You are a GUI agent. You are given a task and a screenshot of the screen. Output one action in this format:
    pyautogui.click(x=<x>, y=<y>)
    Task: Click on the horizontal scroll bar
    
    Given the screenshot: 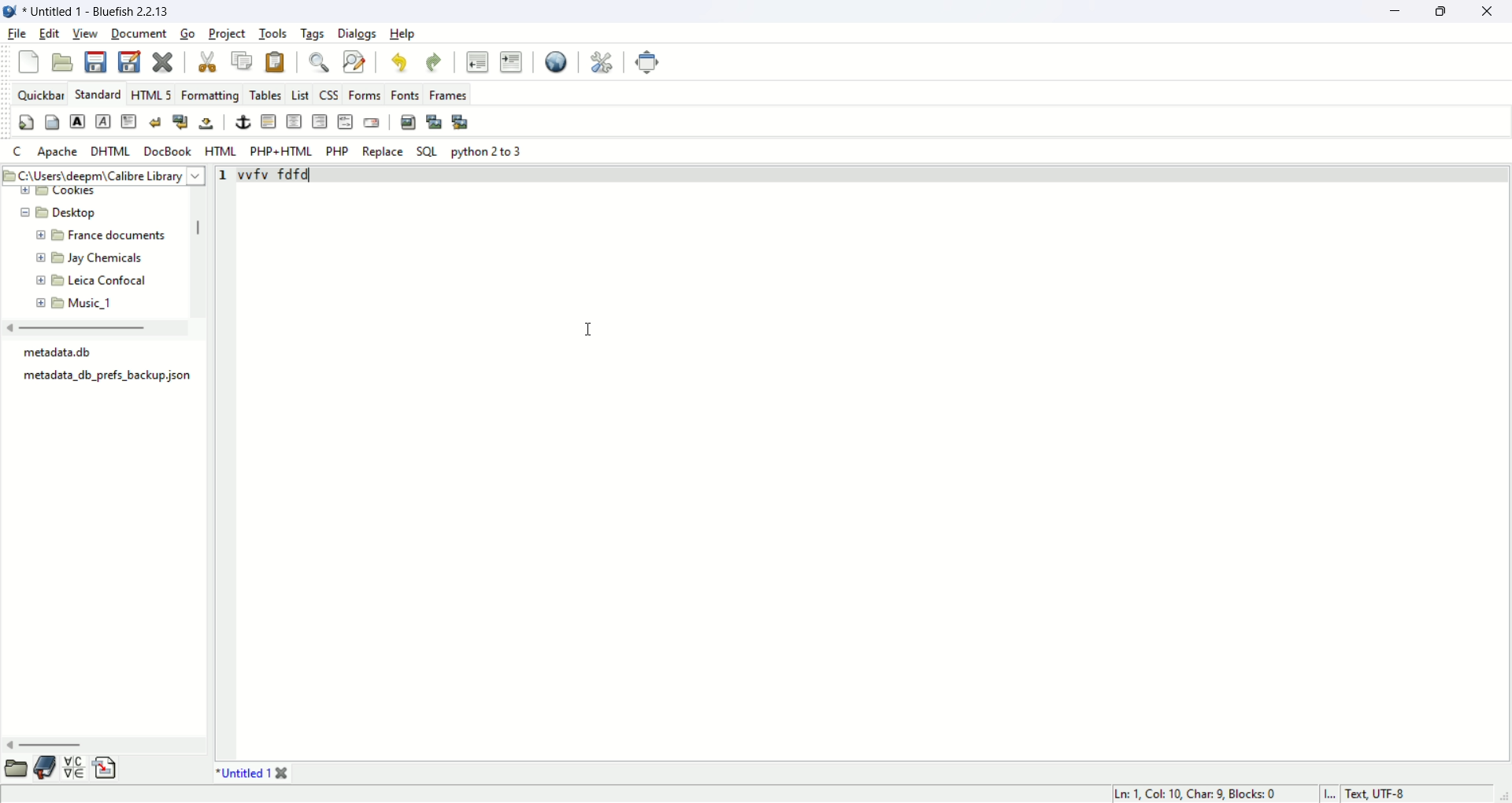 What is the action you would take?
    pyautogui.click(x=49, y=746)
    